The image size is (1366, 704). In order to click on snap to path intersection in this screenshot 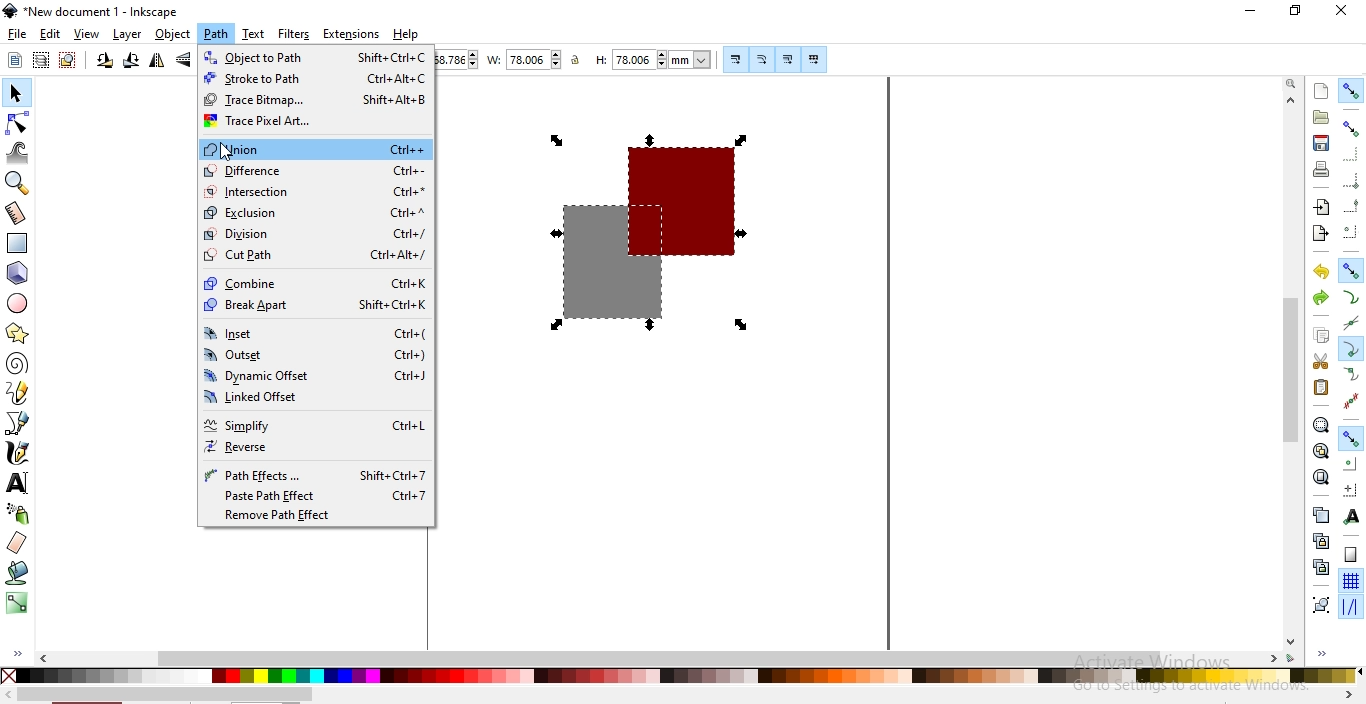, I will do `click(1349, 324)`.